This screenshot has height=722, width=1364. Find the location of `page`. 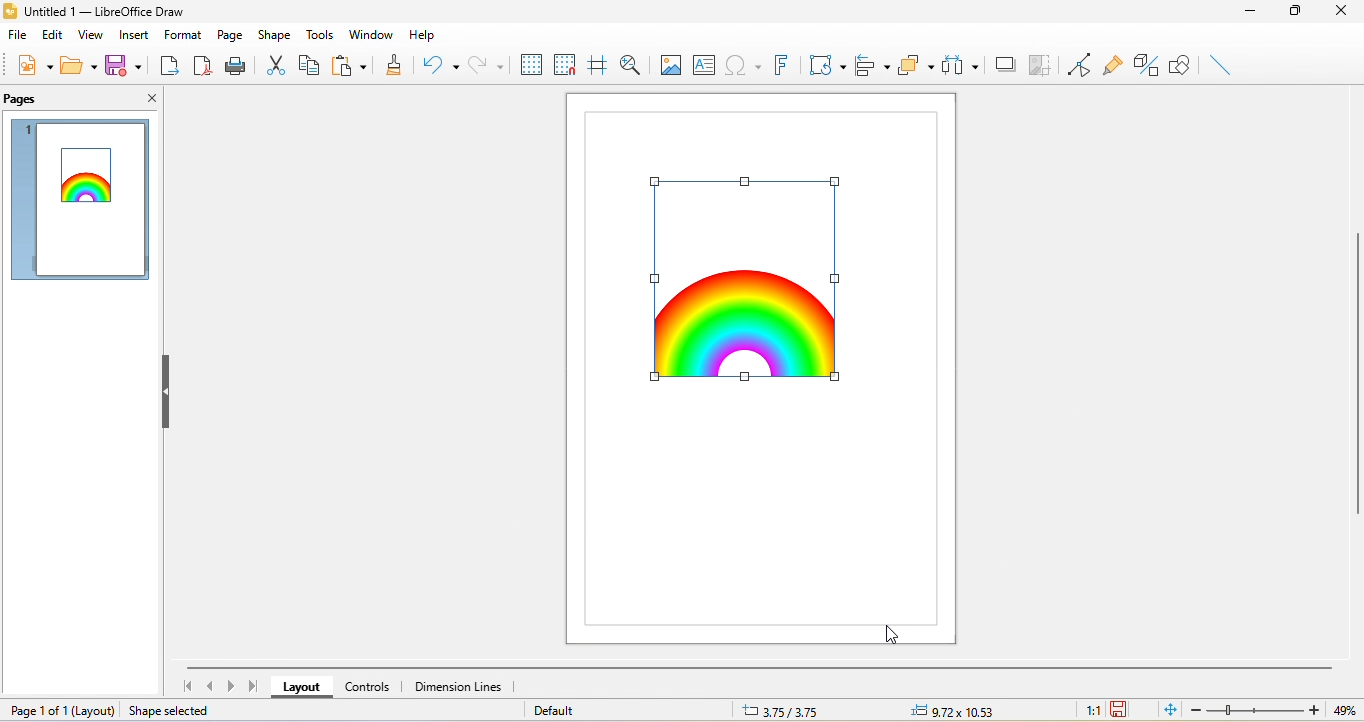

page is located at coordinates (229, 34).